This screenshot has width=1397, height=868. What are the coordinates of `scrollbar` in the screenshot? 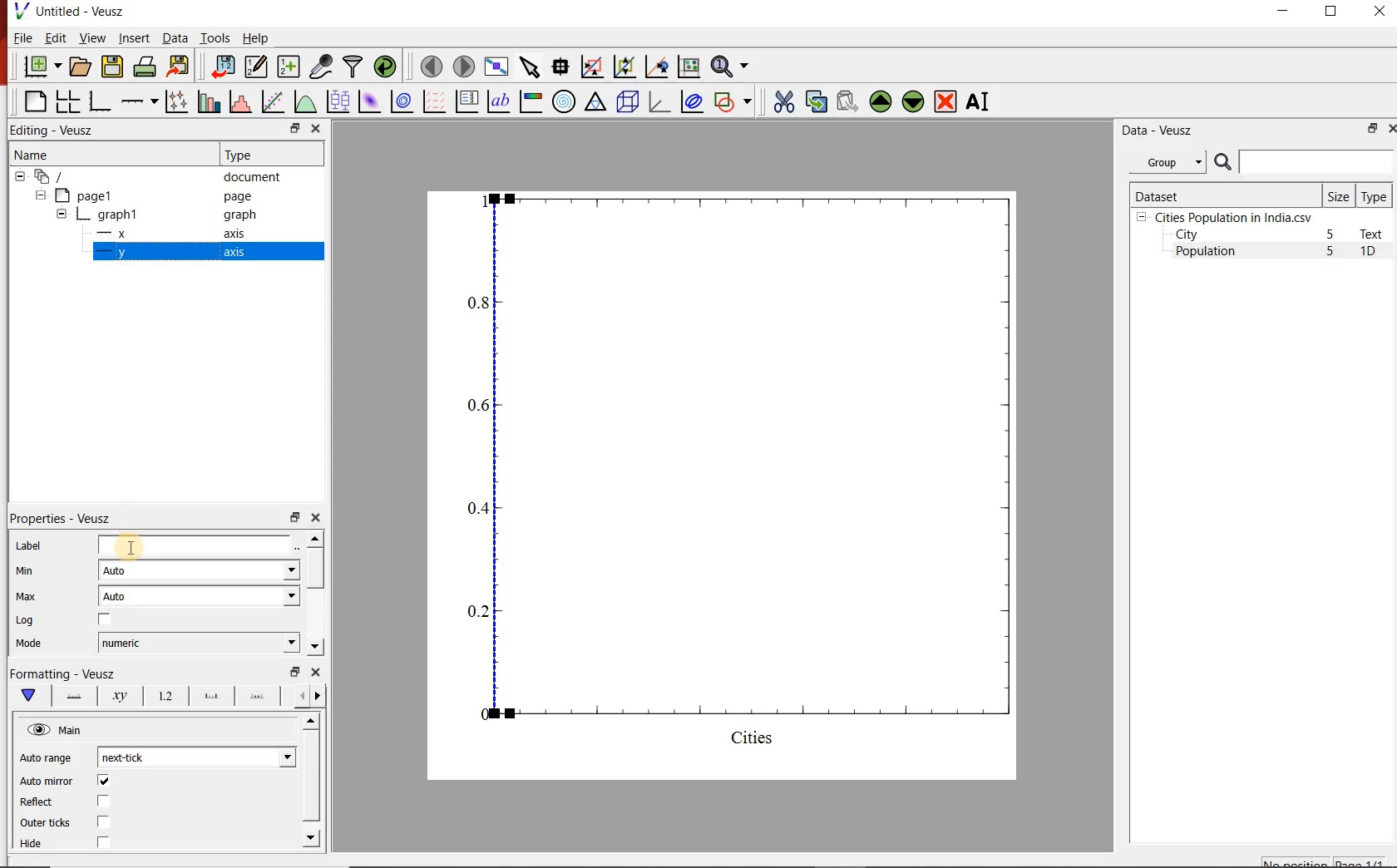 It's located at (315, 594).